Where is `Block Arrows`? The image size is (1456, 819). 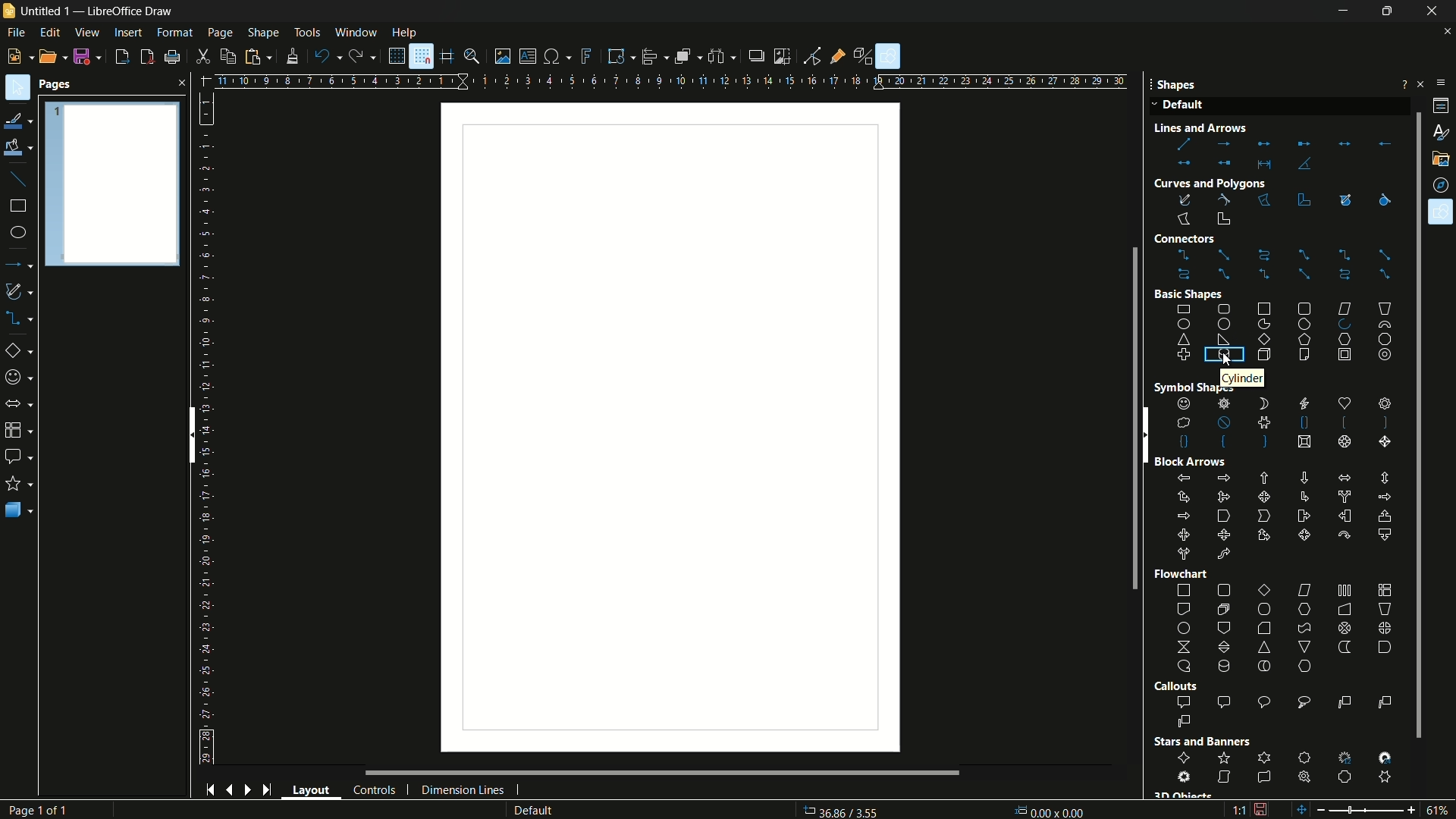
Block Arrows is located at coordinates (1191, 462).